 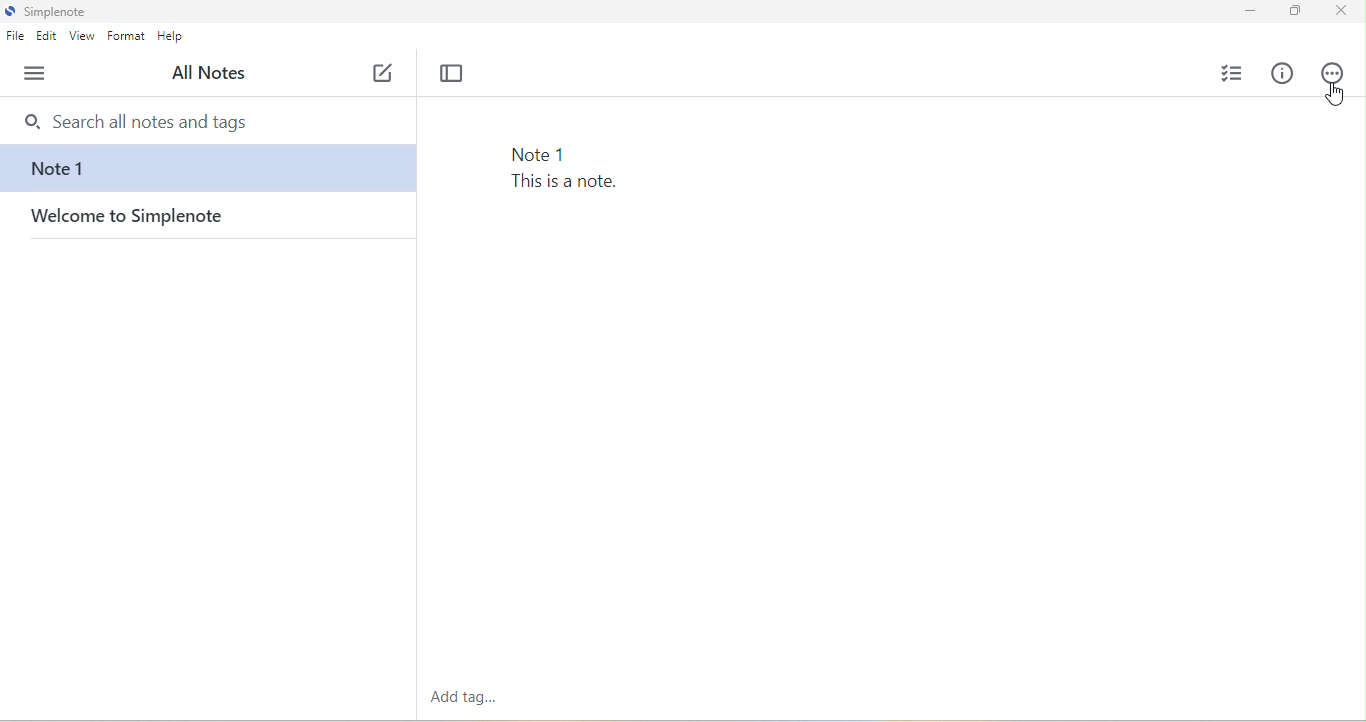 What do you see at coordinates (48, 37) in the screenshot?
I see `edit` at bounding box center [48, 37].